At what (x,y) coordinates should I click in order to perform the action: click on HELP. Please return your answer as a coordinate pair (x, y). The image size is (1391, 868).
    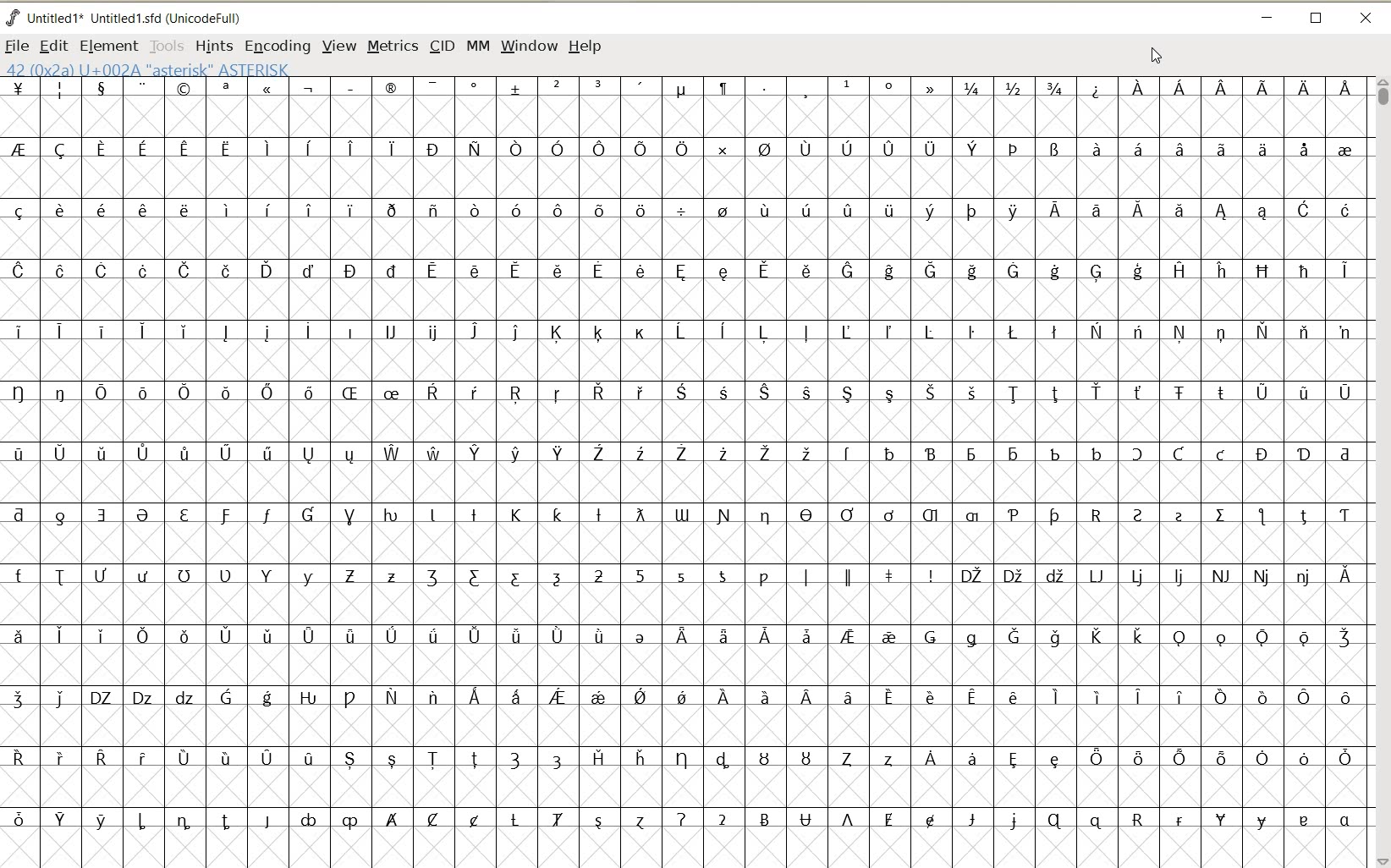
    Looking at the image, I should click on (585, 47).